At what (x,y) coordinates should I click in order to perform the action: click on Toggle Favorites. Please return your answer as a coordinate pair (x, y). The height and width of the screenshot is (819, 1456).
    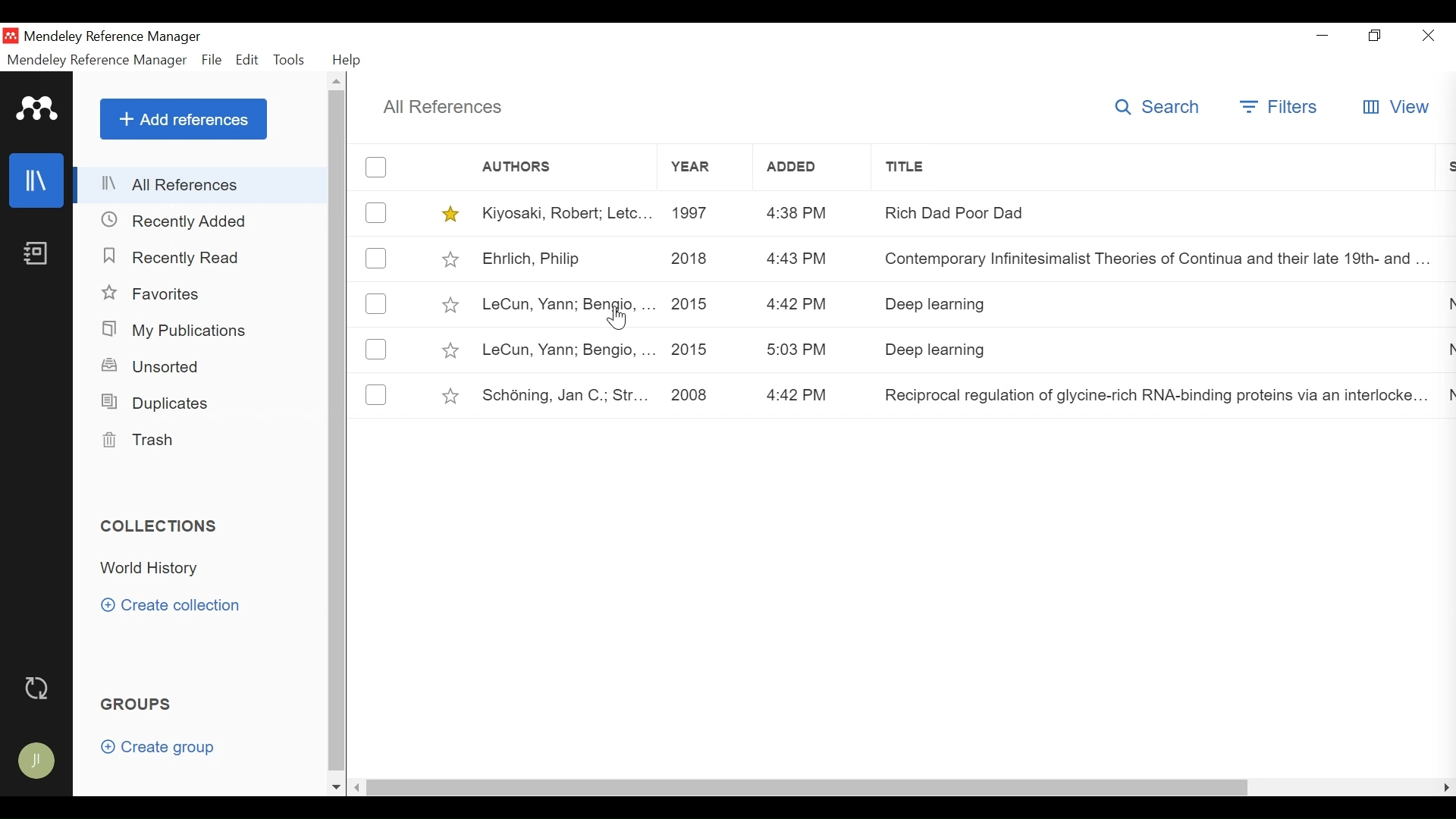
    Looking at the image, I should click on (450, 396).